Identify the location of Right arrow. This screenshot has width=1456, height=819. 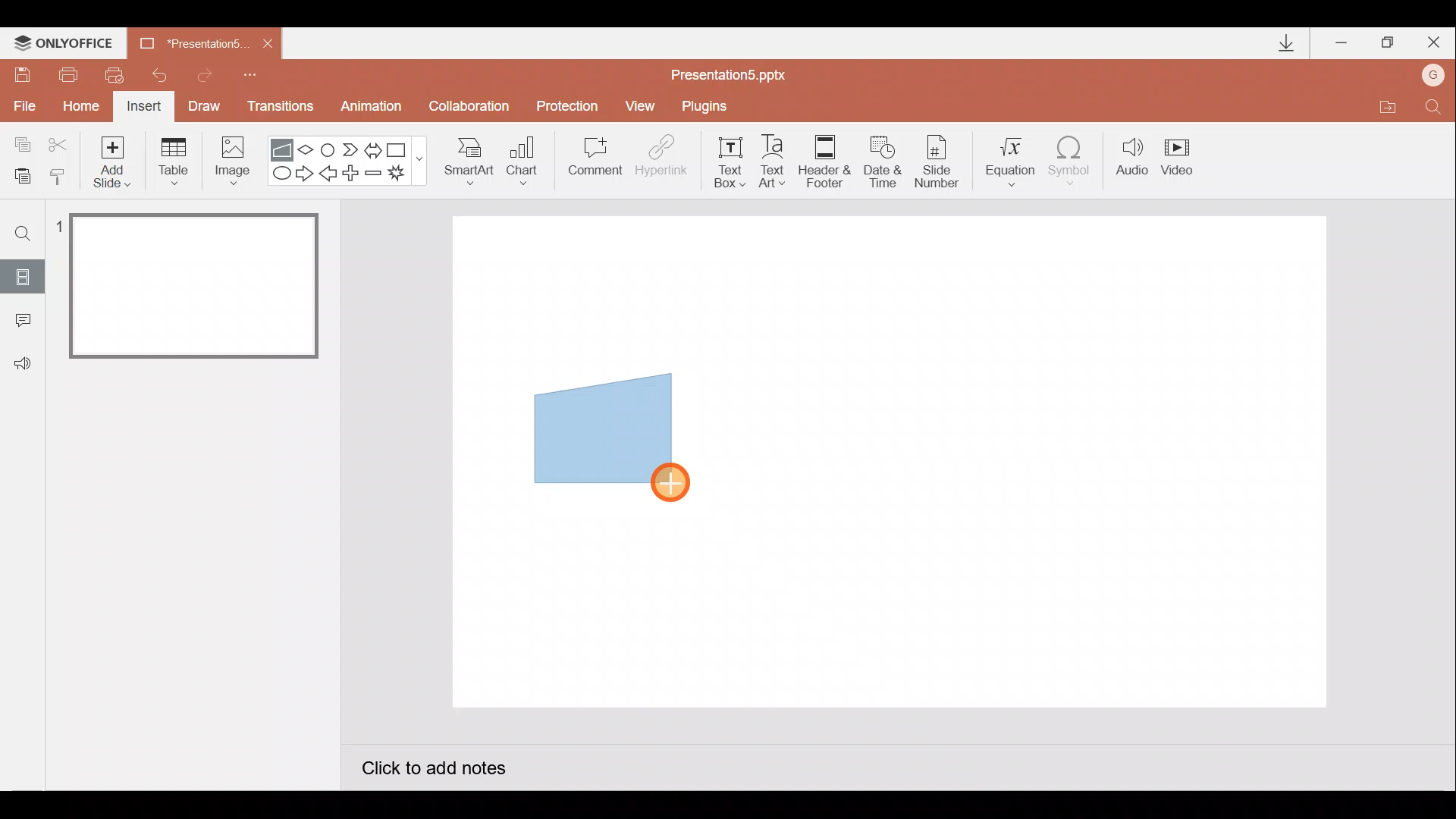
(306, 172).